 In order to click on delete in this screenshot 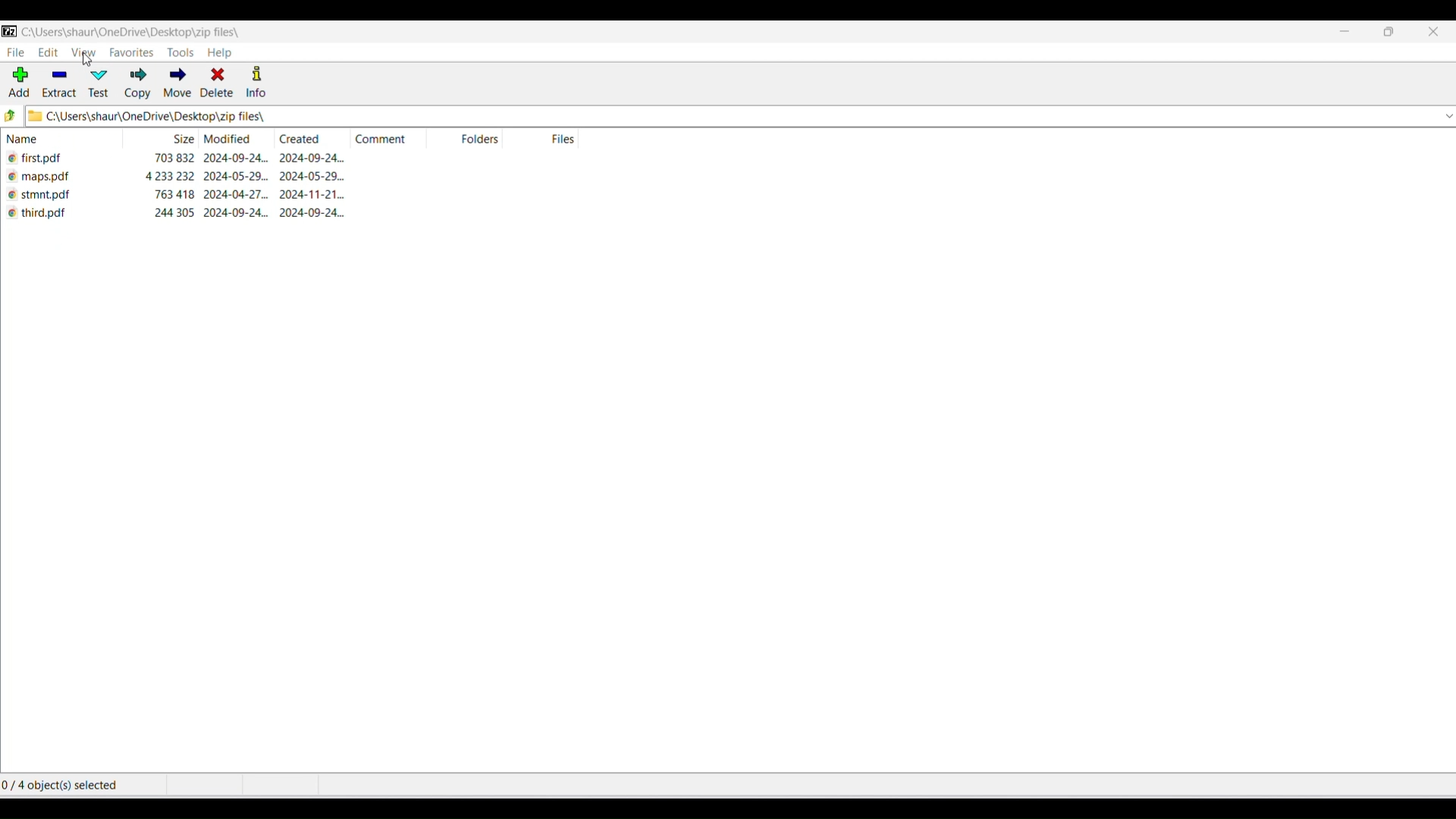, I will do `click(218, 83)`.